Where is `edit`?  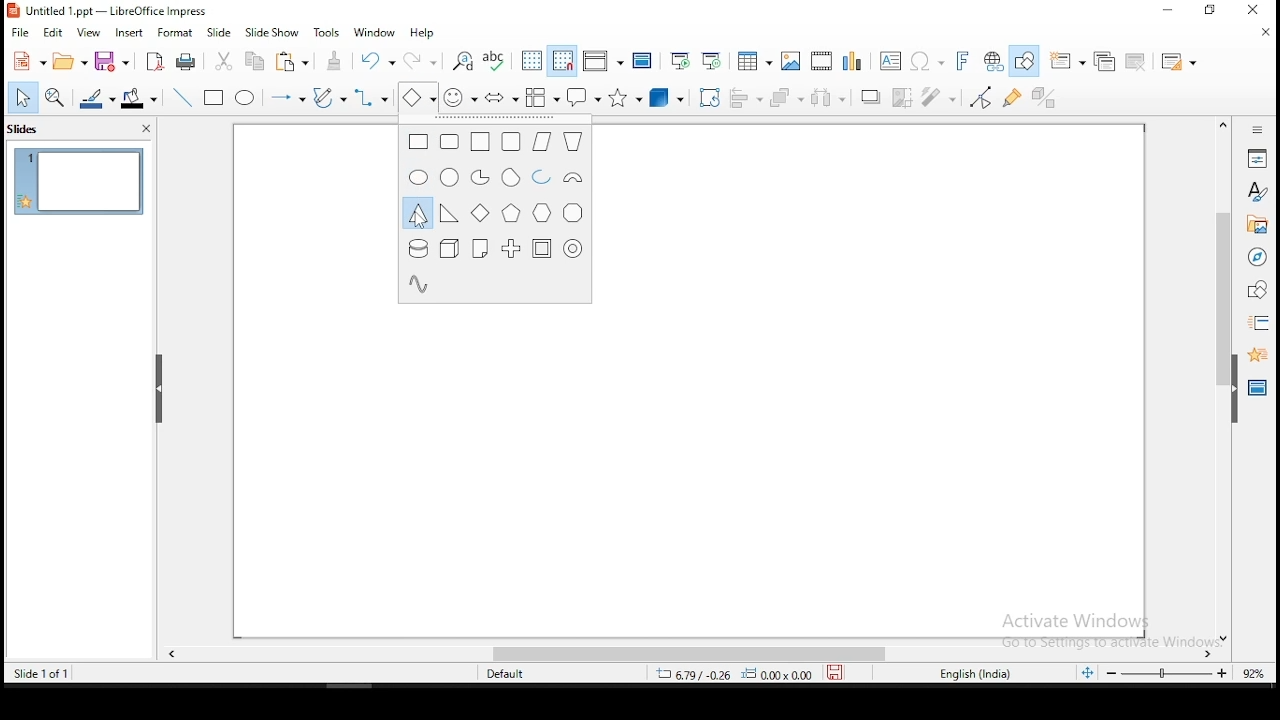
edit is located at coordinates (52, 33).